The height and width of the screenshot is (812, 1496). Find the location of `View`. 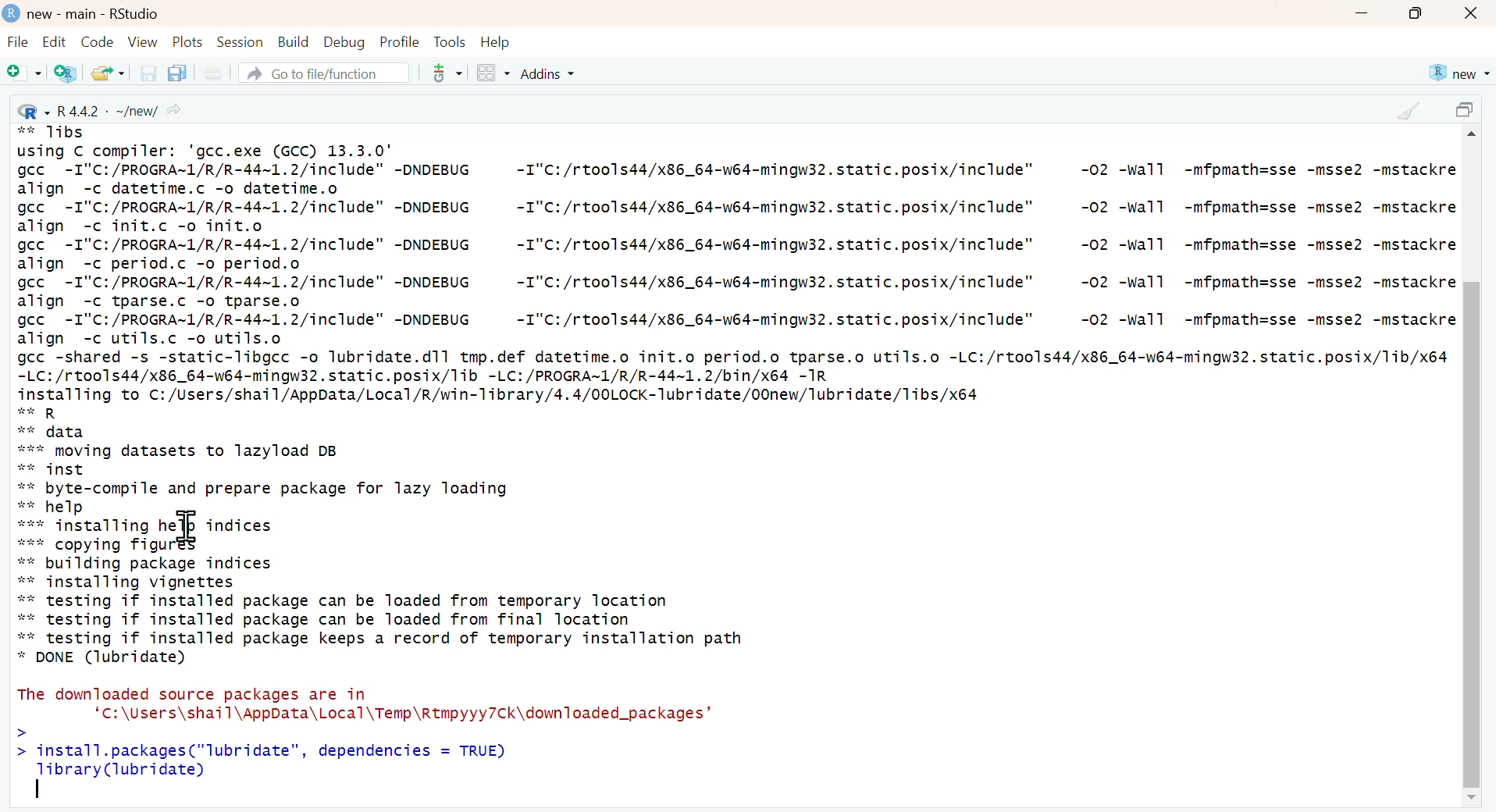

View is located at coordinates (143, 41).